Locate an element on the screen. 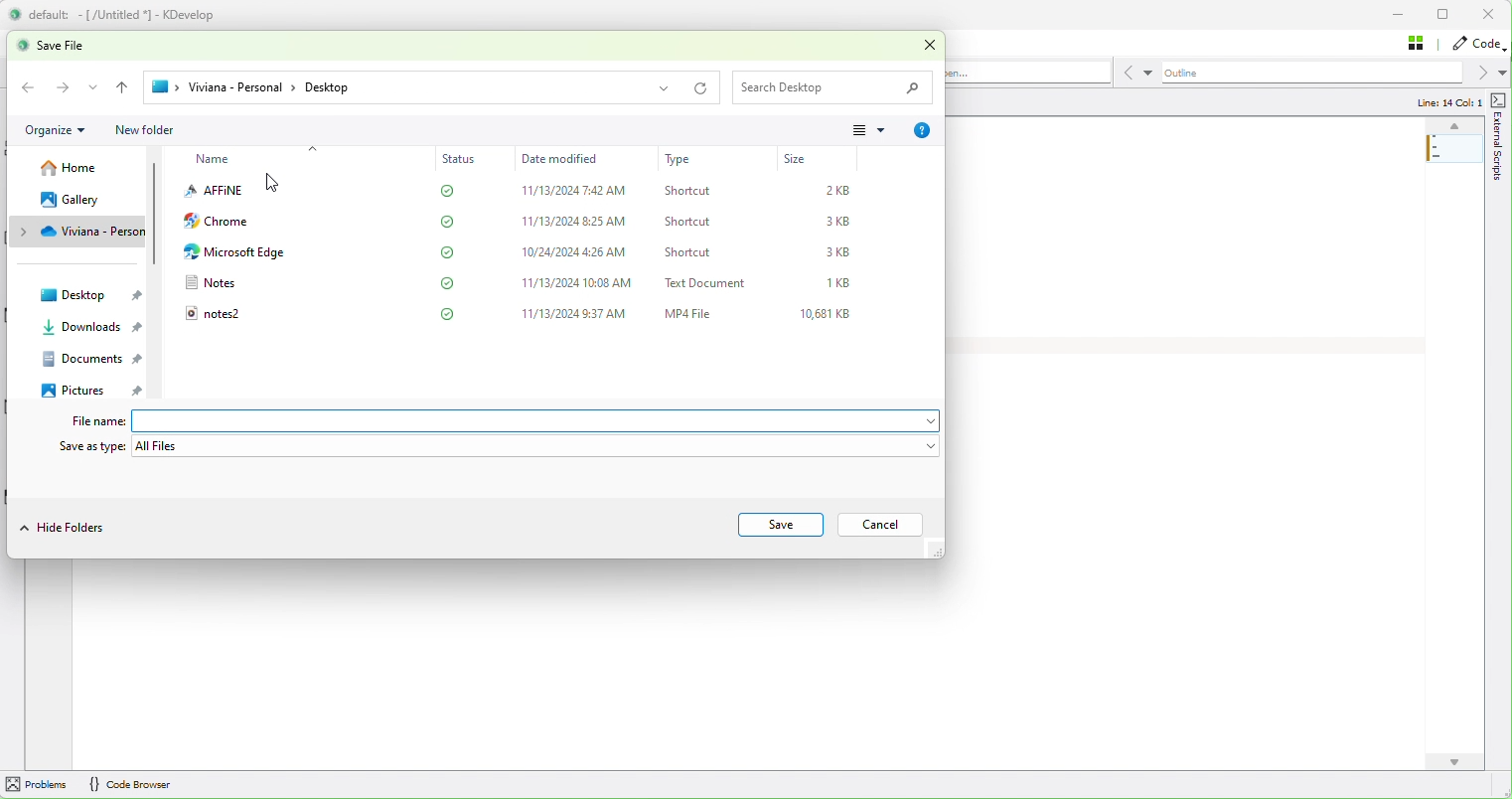  scrollbar is located at coordinates (156, 262).